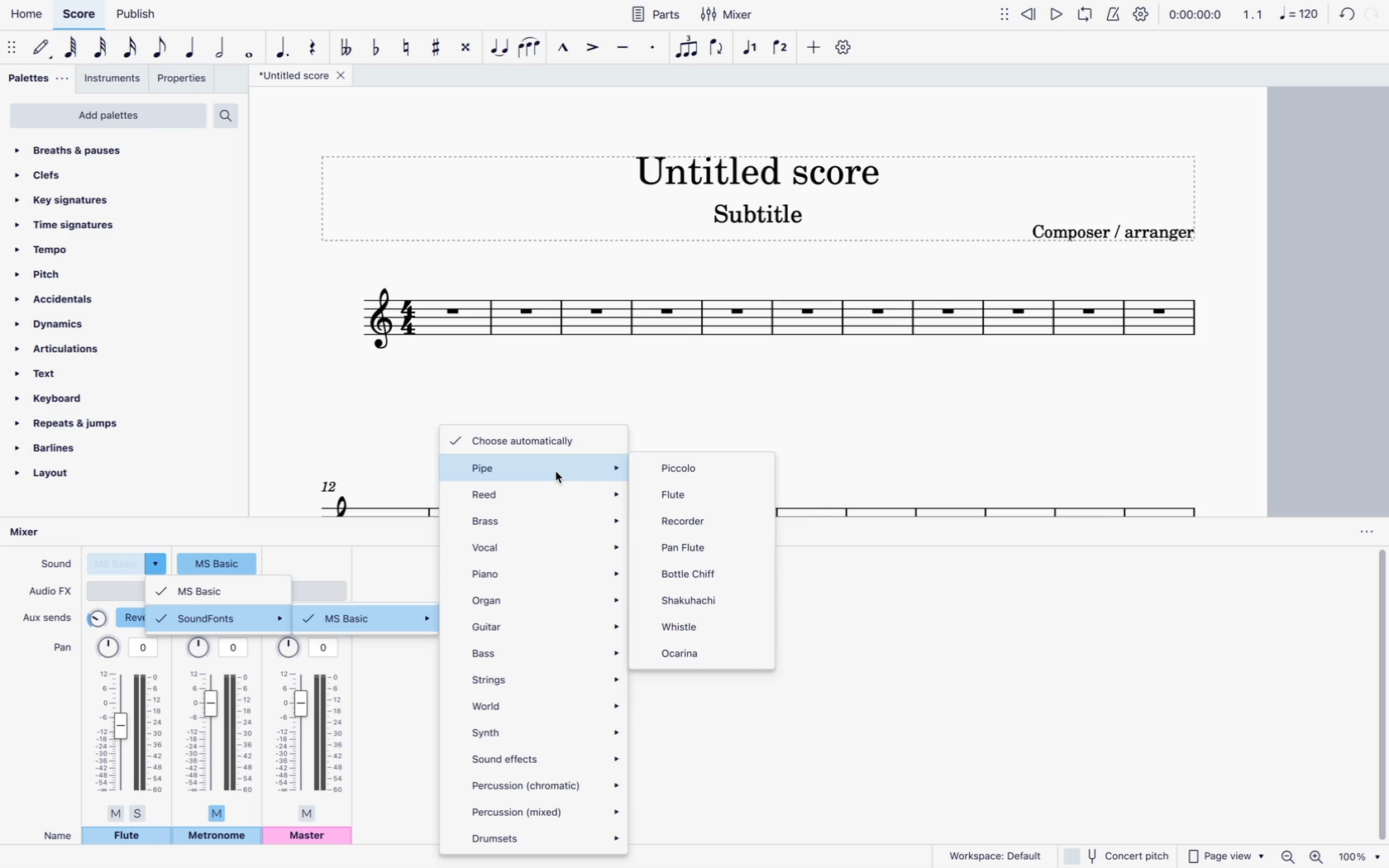 The height and width of the screenshot is (868, 1389). I want to click on cursor, so click(558, 481).